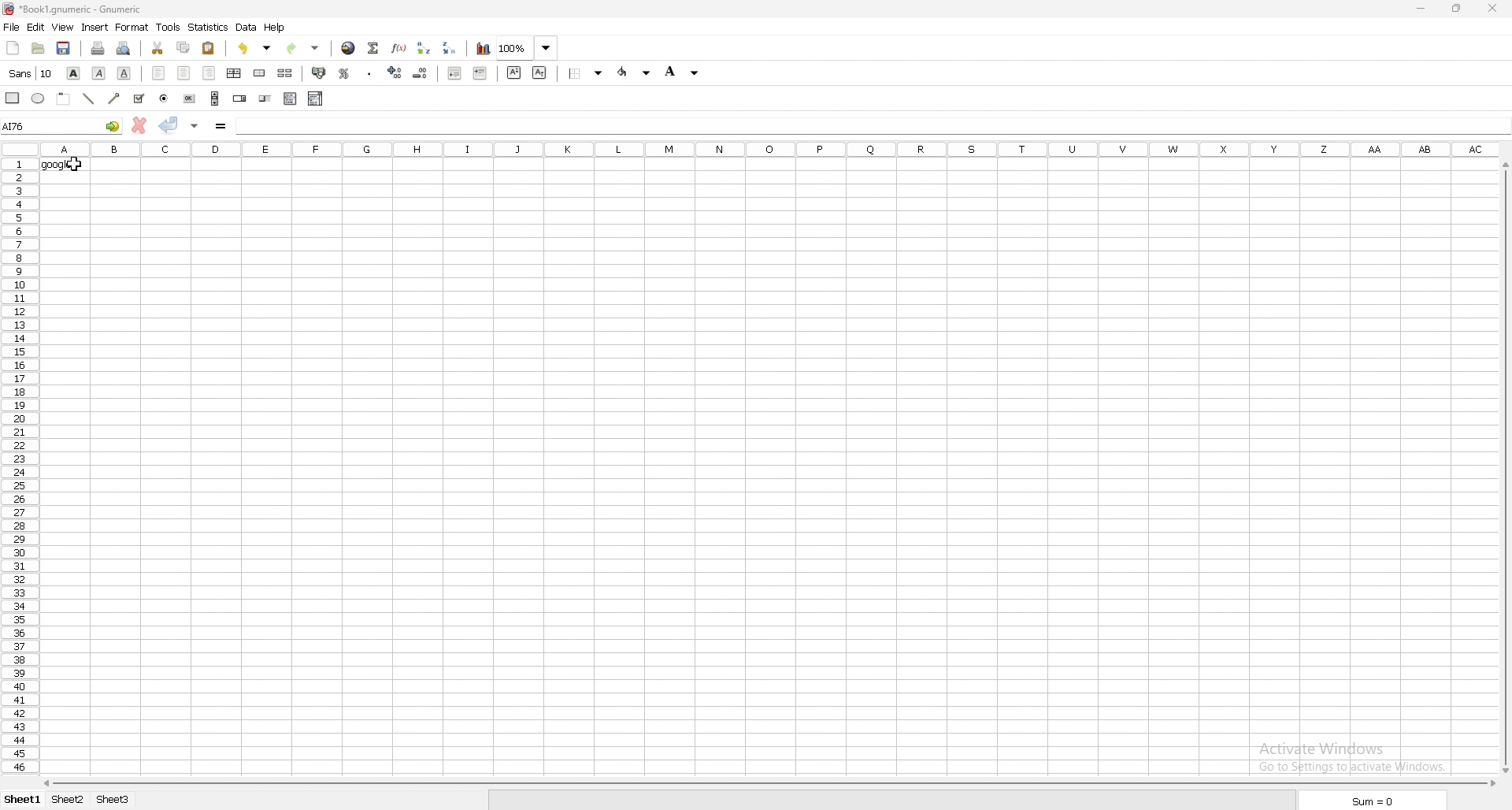  What do you see at coordinates (484, 50) in the screenshot?
I see `chart` at bounding box center [484, 50].